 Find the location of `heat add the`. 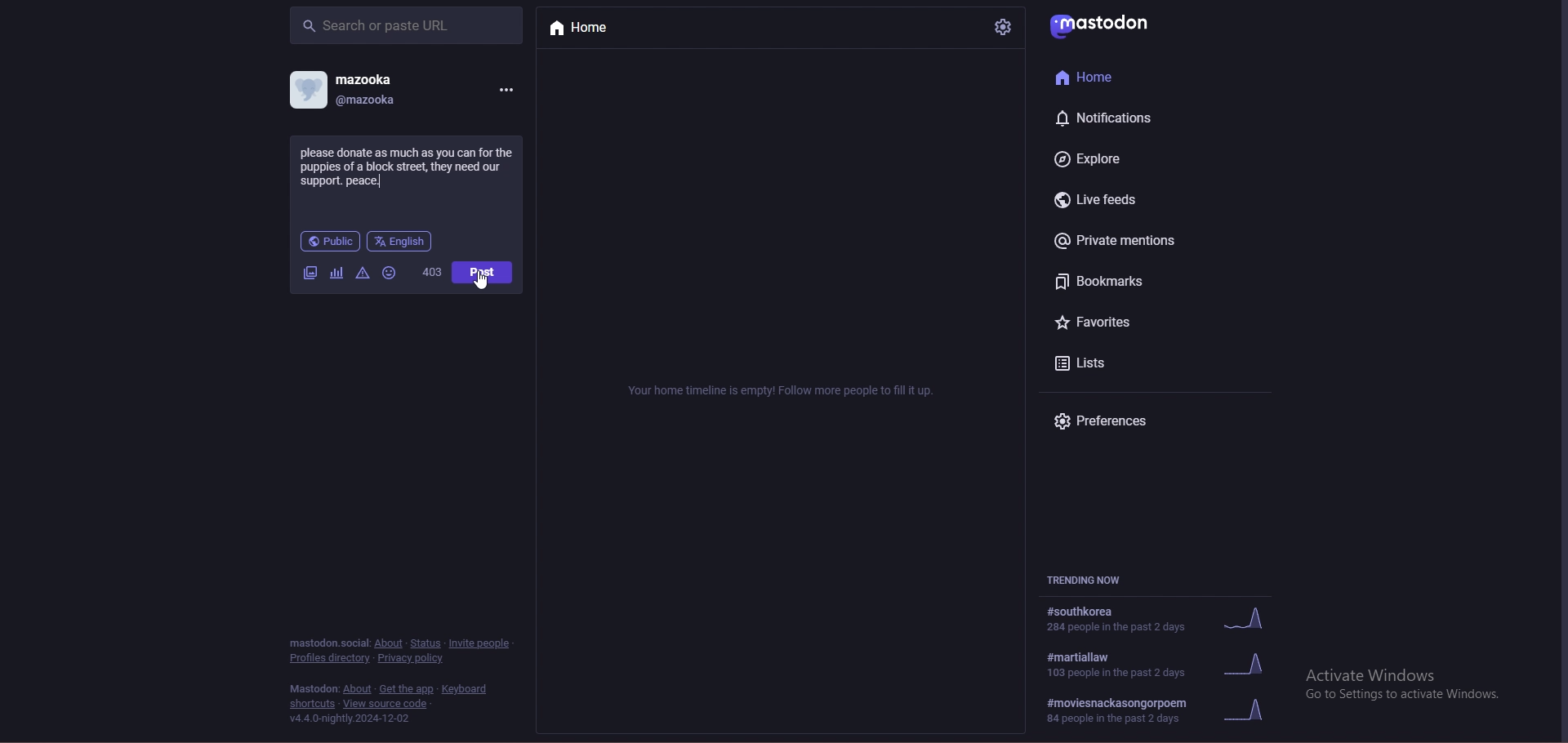

heat add the is located at coordinates (406, 689).